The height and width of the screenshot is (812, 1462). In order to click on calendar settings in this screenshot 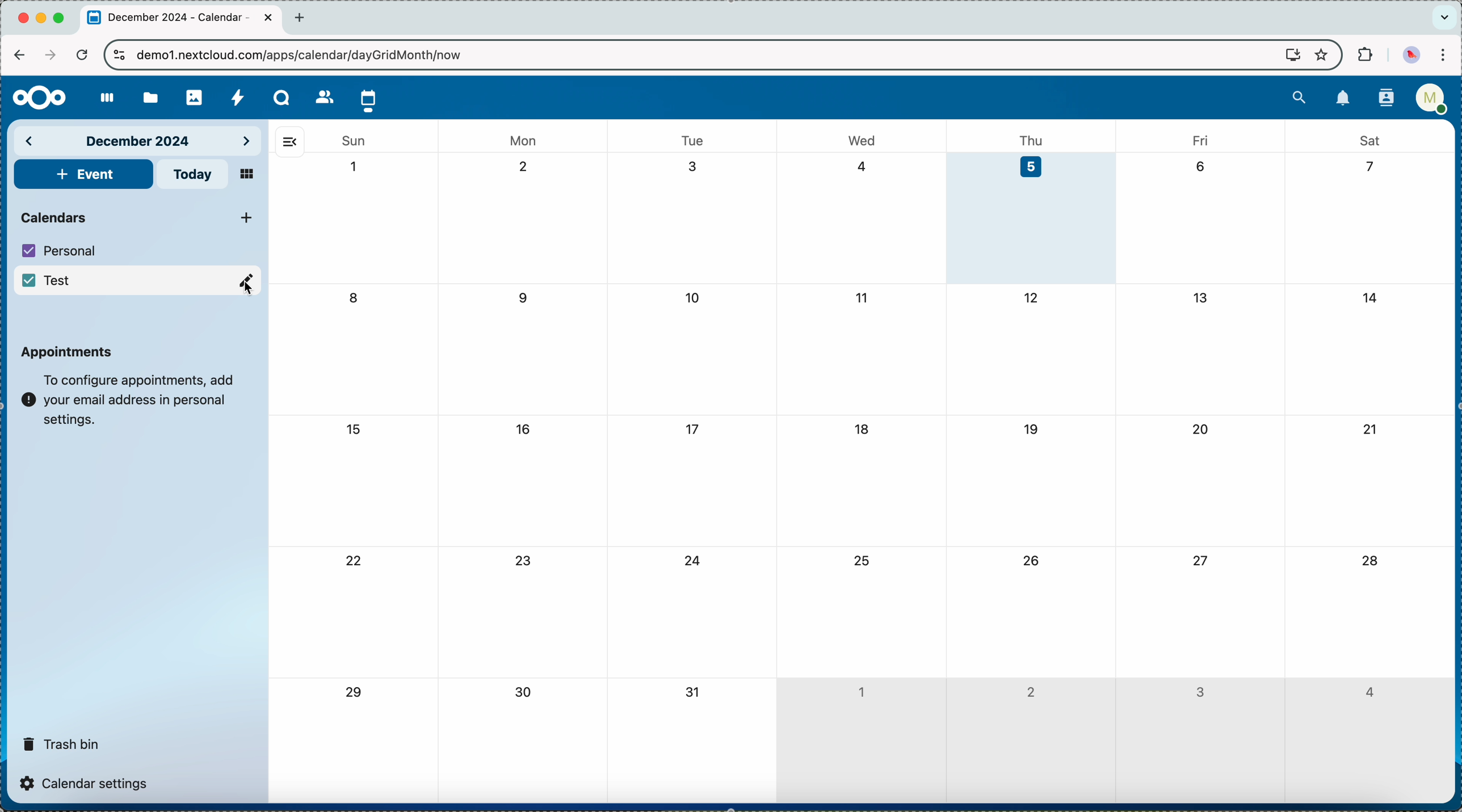, I will do `click(87, 782)`.